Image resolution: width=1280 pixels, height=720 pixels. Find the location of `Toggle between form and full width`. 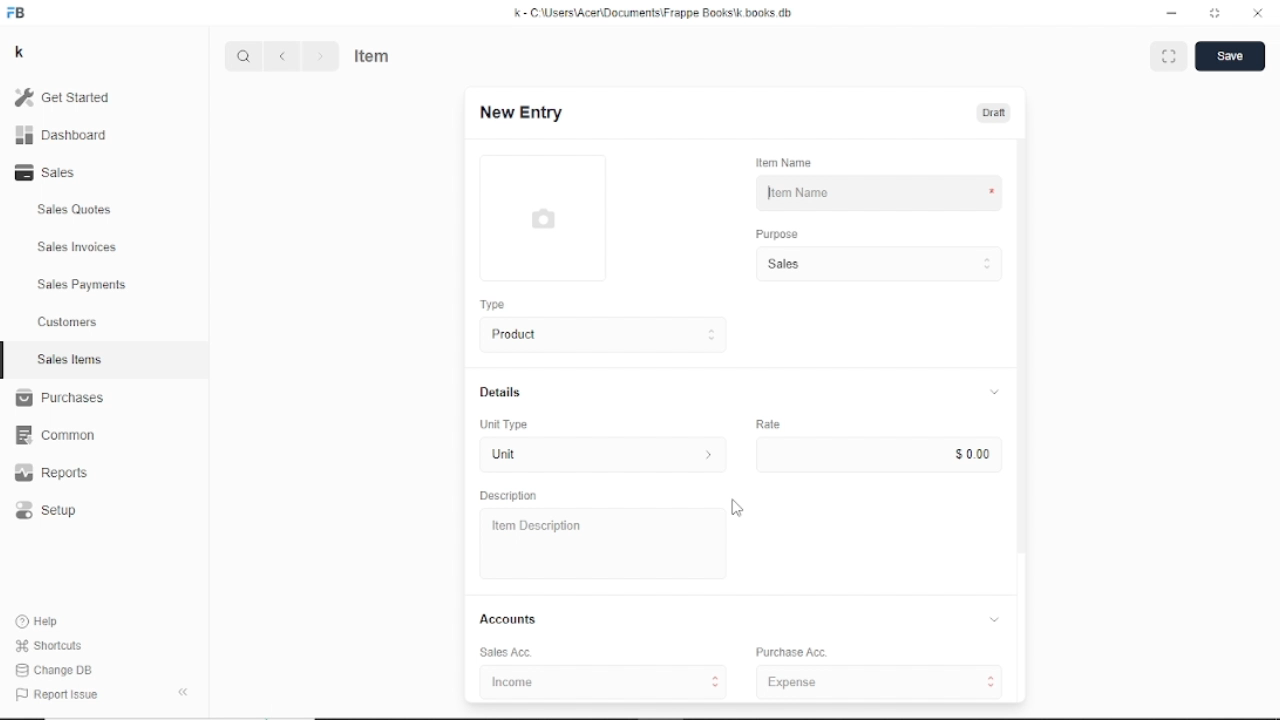

Toggle between form and full width is located at coordinates (1215, 12).